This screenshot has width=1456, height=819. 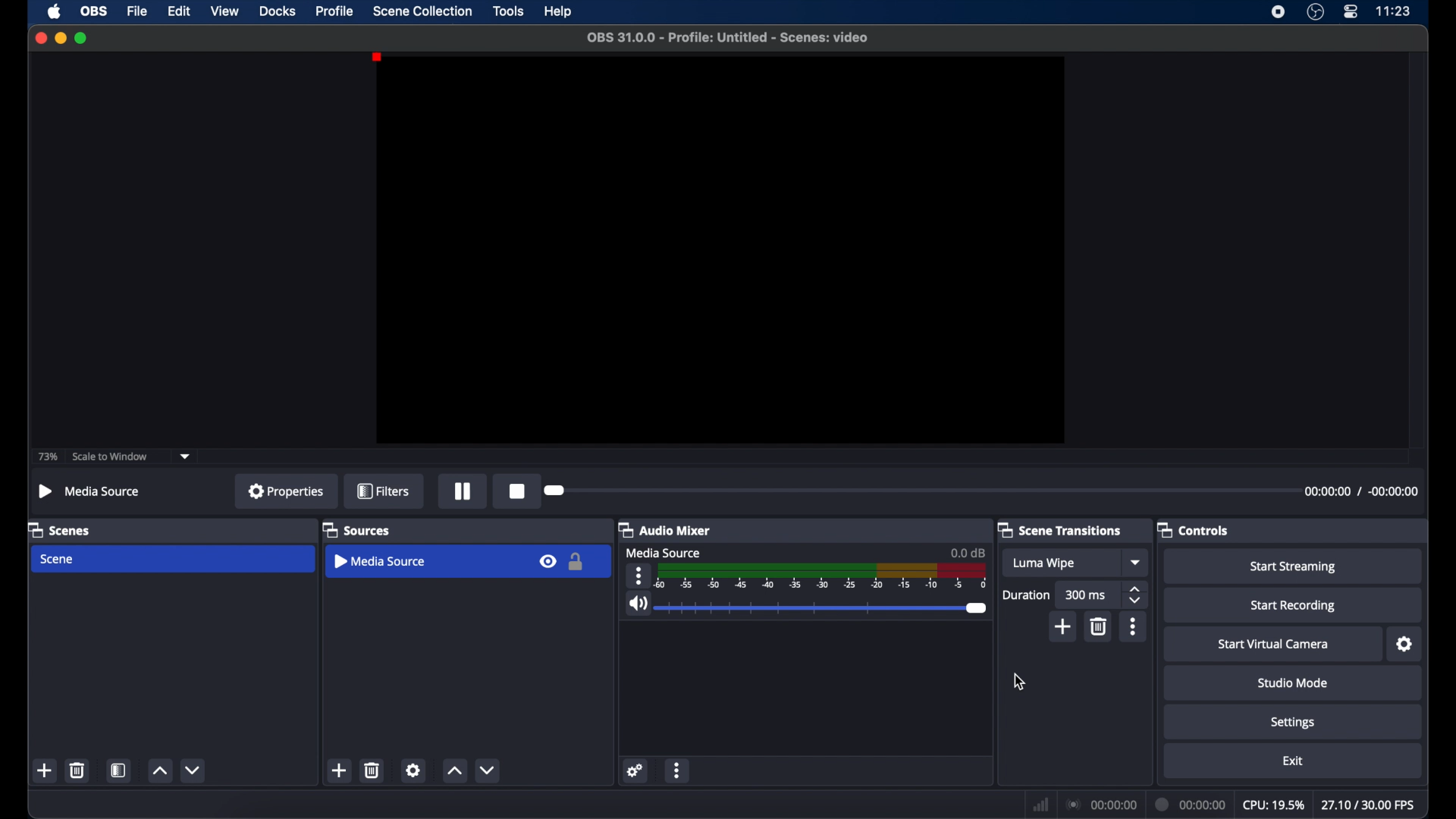 What do you see at coordinates (1060, 530) in the screenshot?
I see `scene transitions` at bounding box center [1060, 530].